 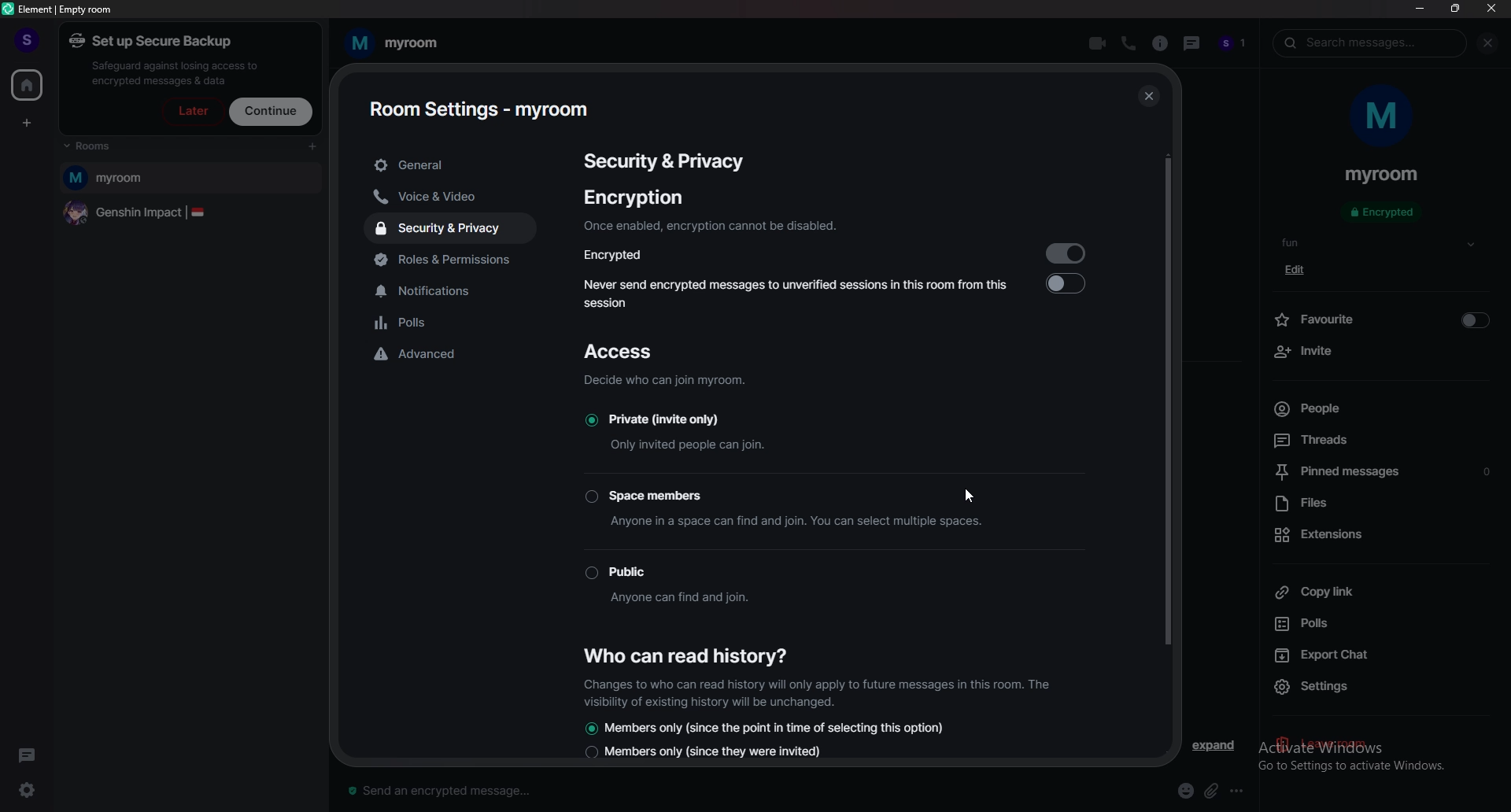 What do you see at coordinates (456, 325) in the screenshot?
I see `polls` at bounding box center [456, 325].